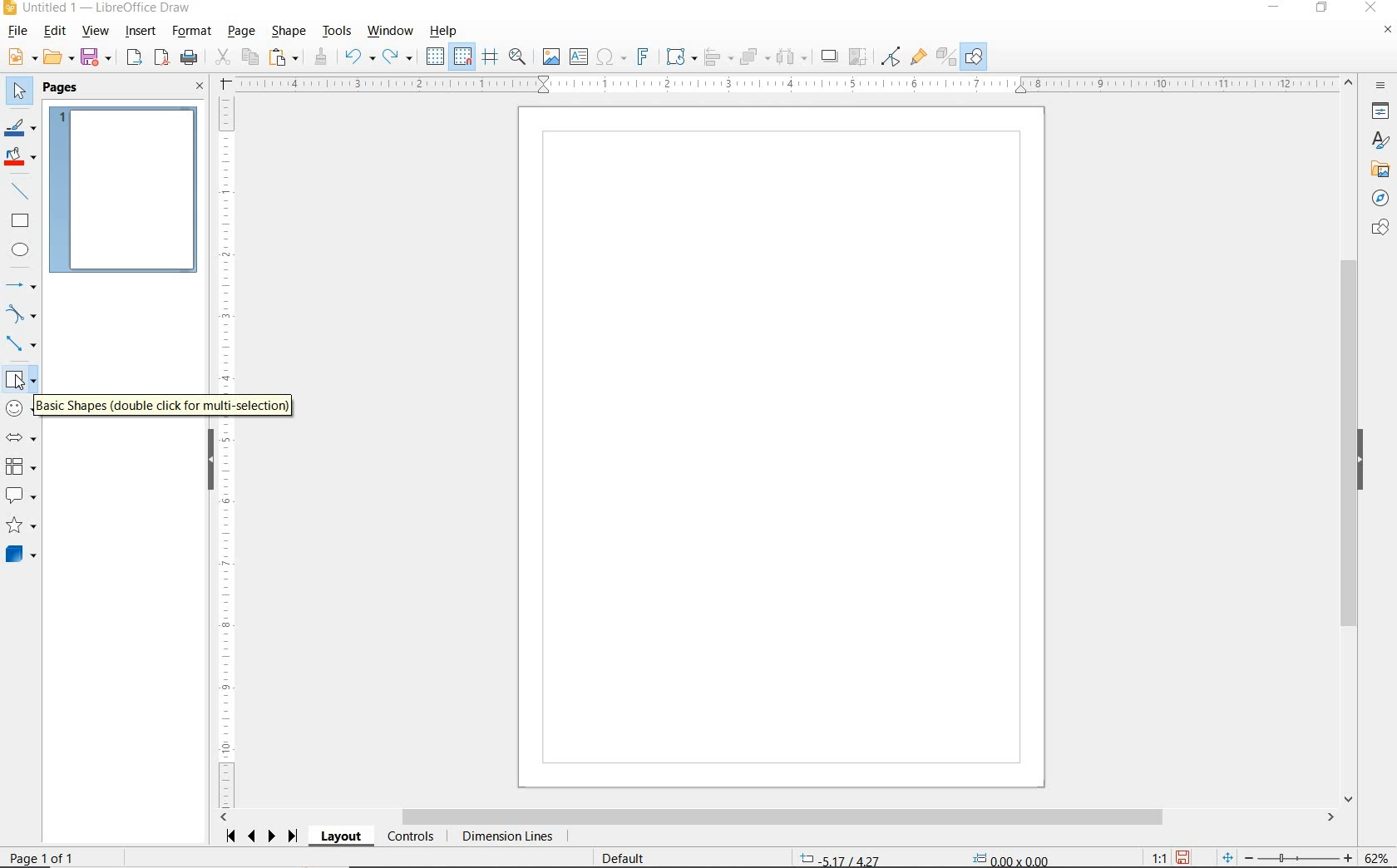  Describe the element at coordinates (24, 466) in the screenshot. I see `FLOWCHART` at that location.